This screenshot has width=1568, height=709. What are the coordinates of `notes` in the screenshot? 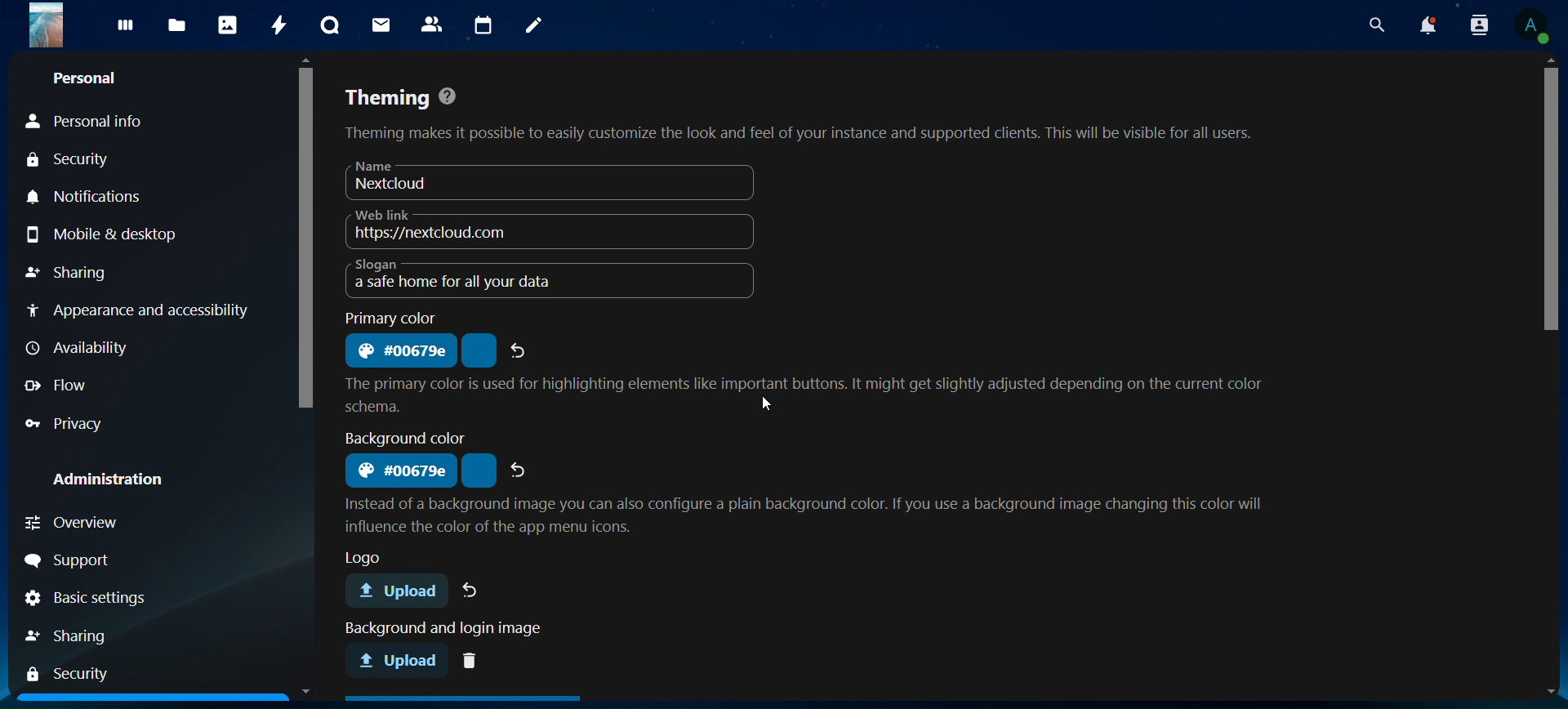 It's located at (537, 26).